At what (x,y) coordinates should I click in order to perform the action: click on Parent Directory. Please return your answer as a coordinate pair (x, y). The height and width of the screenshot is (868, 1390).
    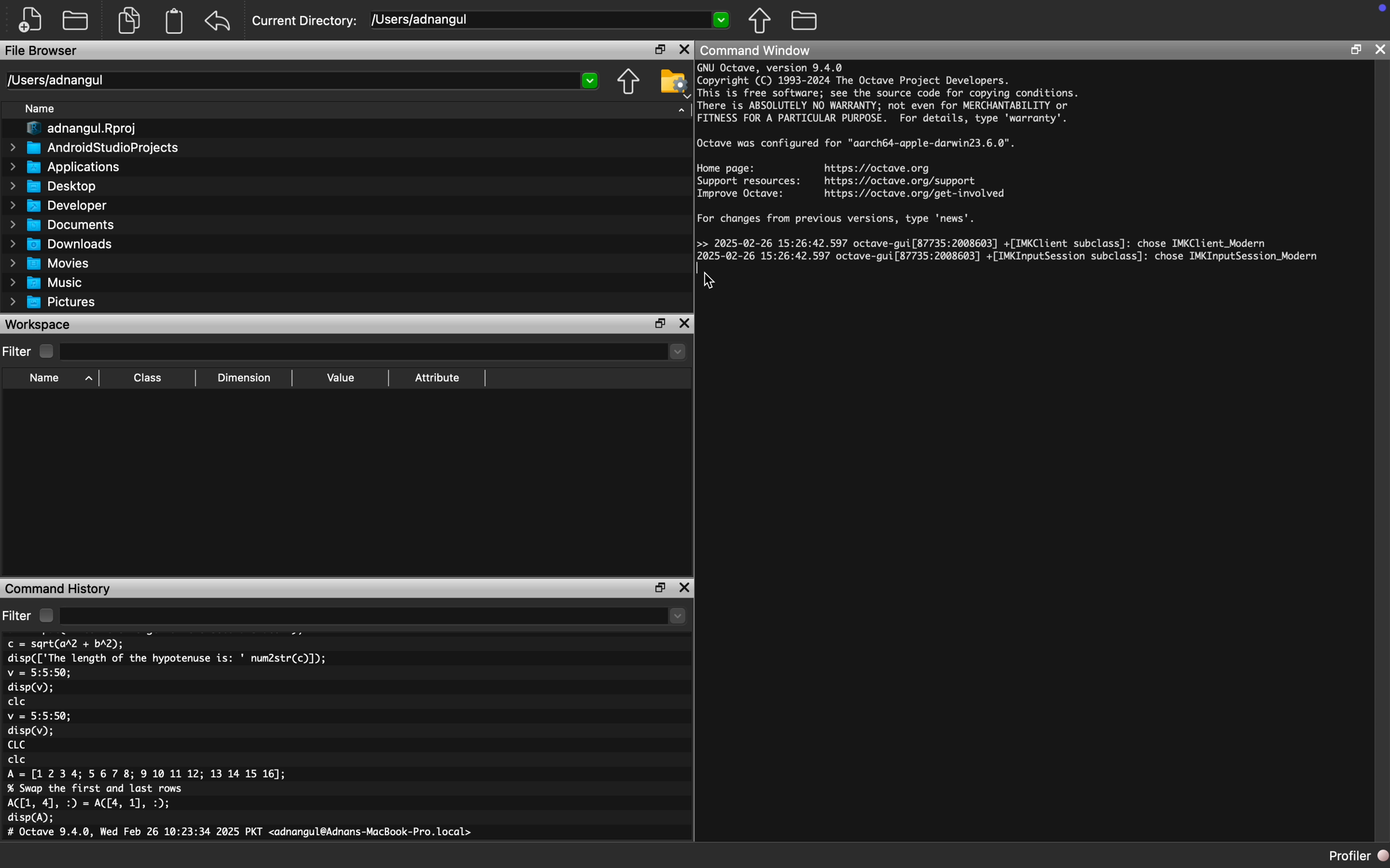
    Looking at the image, I should click on (760, 20).